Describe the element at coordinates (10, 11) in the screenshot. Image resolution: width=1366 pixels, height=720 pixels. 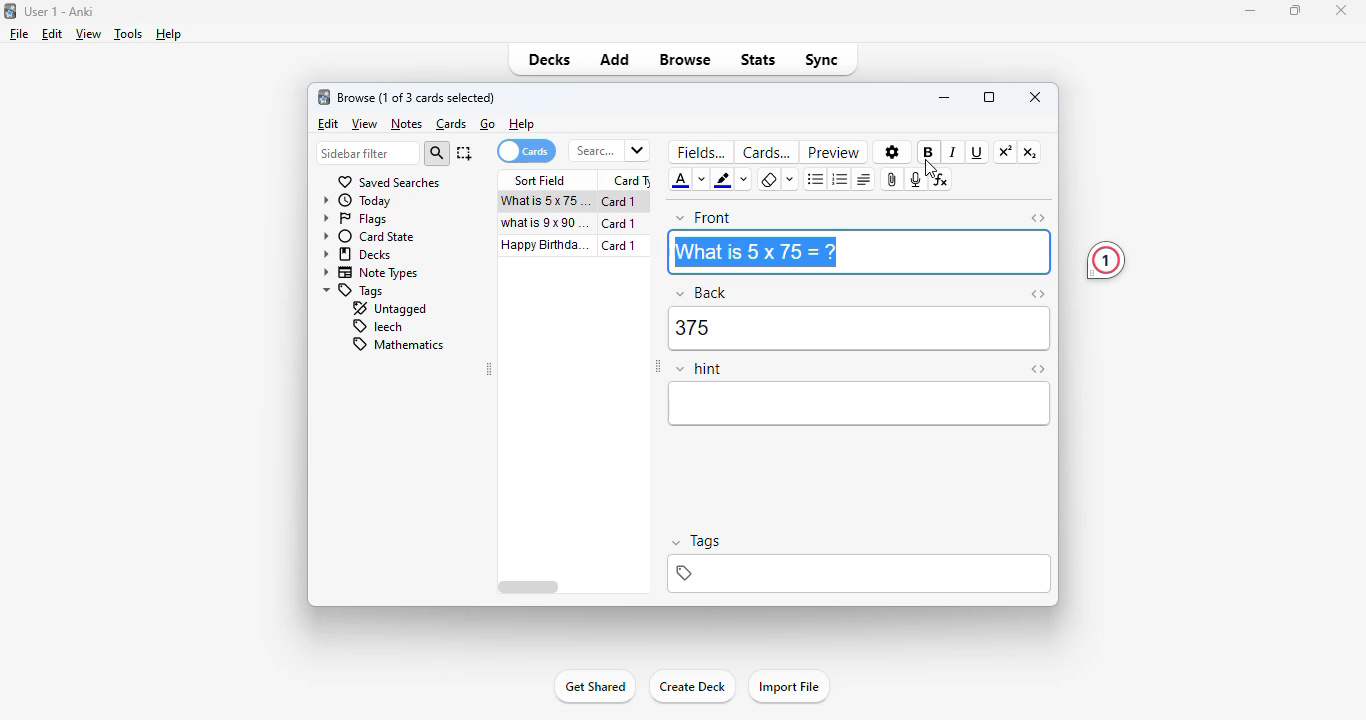
I see `logo` at that location.